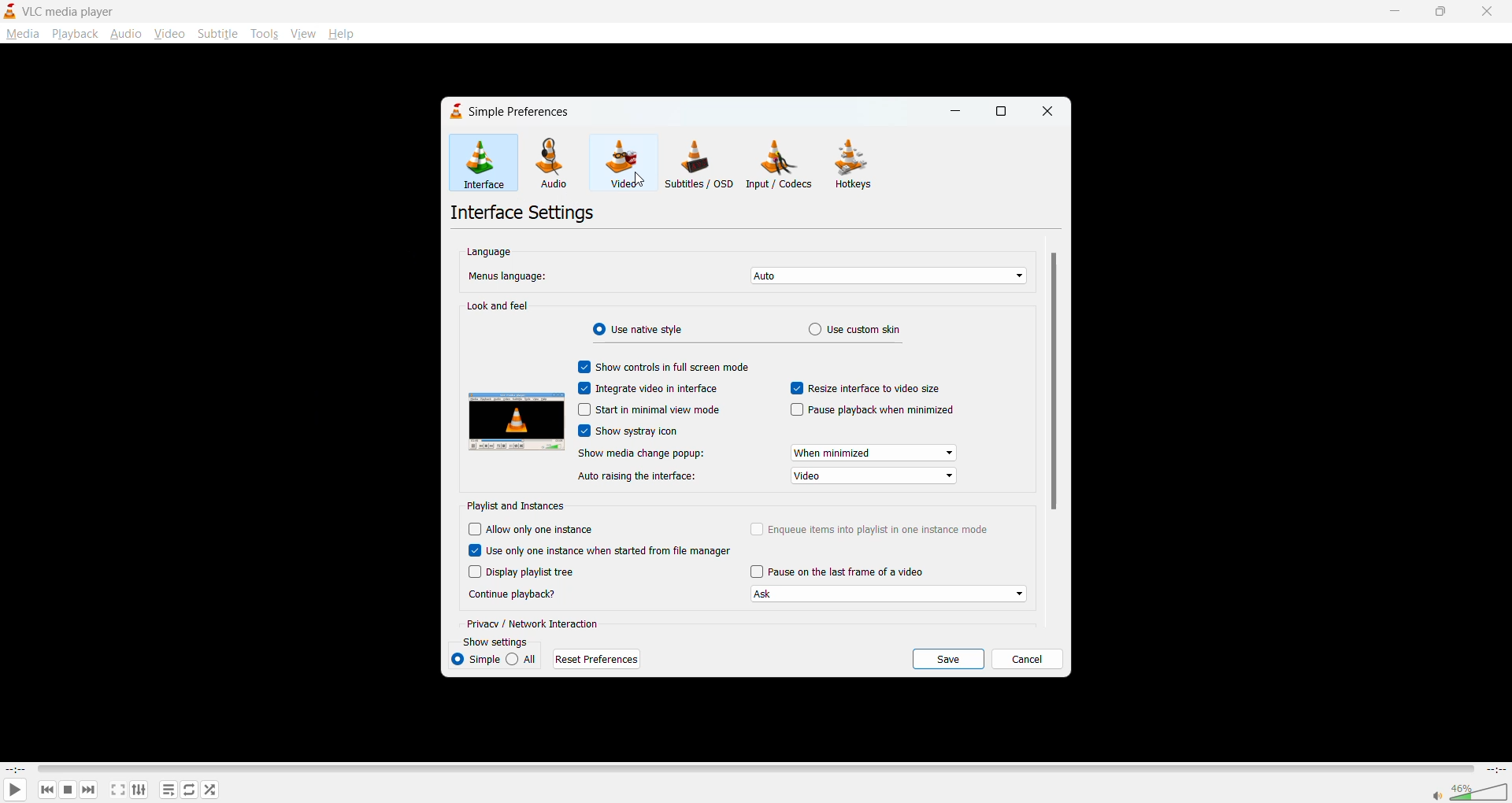 Image resolution: width=1512 pixels, height=803 pixels. Describe the element at coordinates (522, 573) in the screenshot. I see `display playlist tree` at that location.